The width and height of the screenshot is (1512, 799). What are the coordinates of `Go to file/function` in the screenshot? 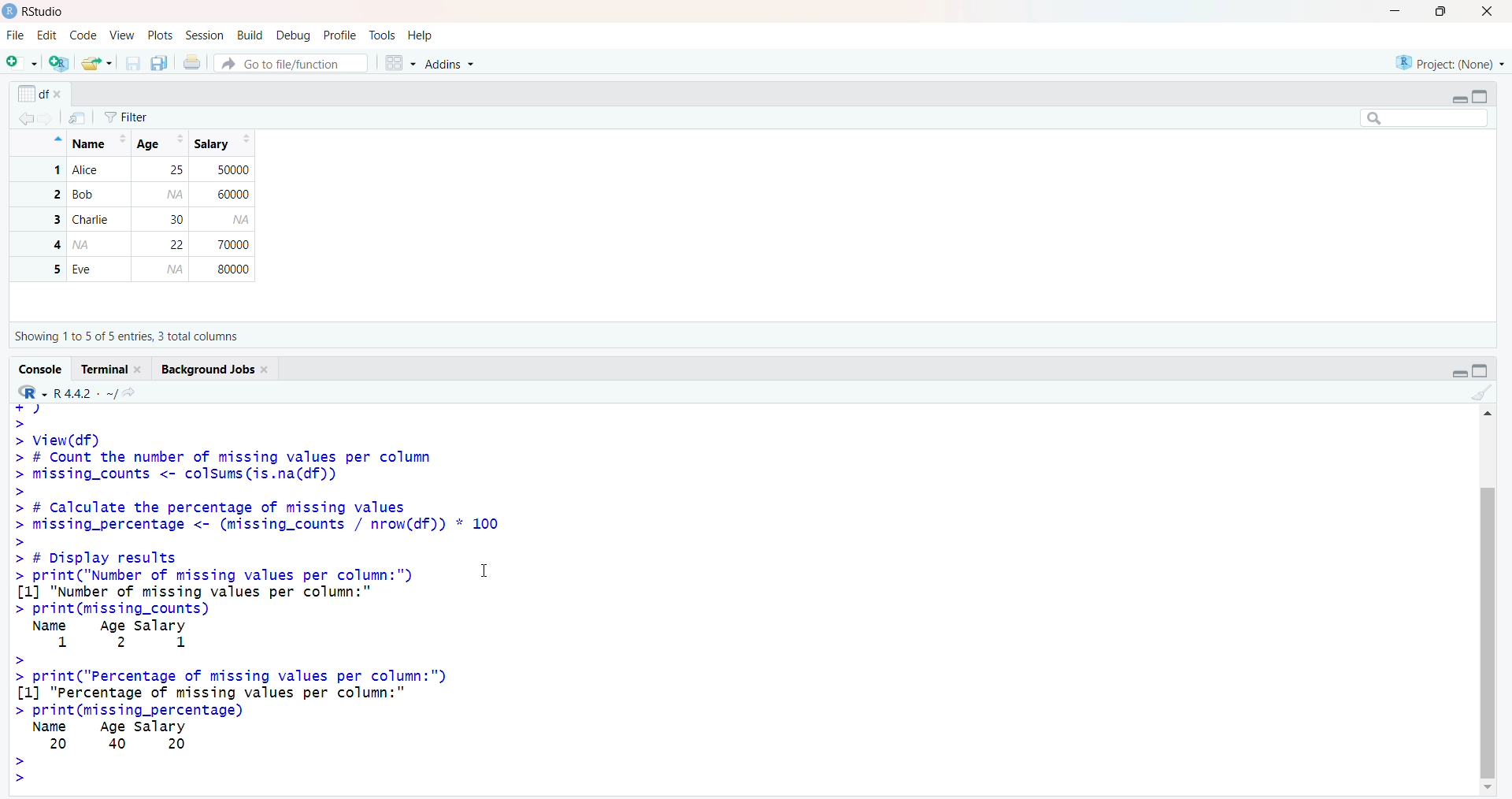 It's located at (291, 62).